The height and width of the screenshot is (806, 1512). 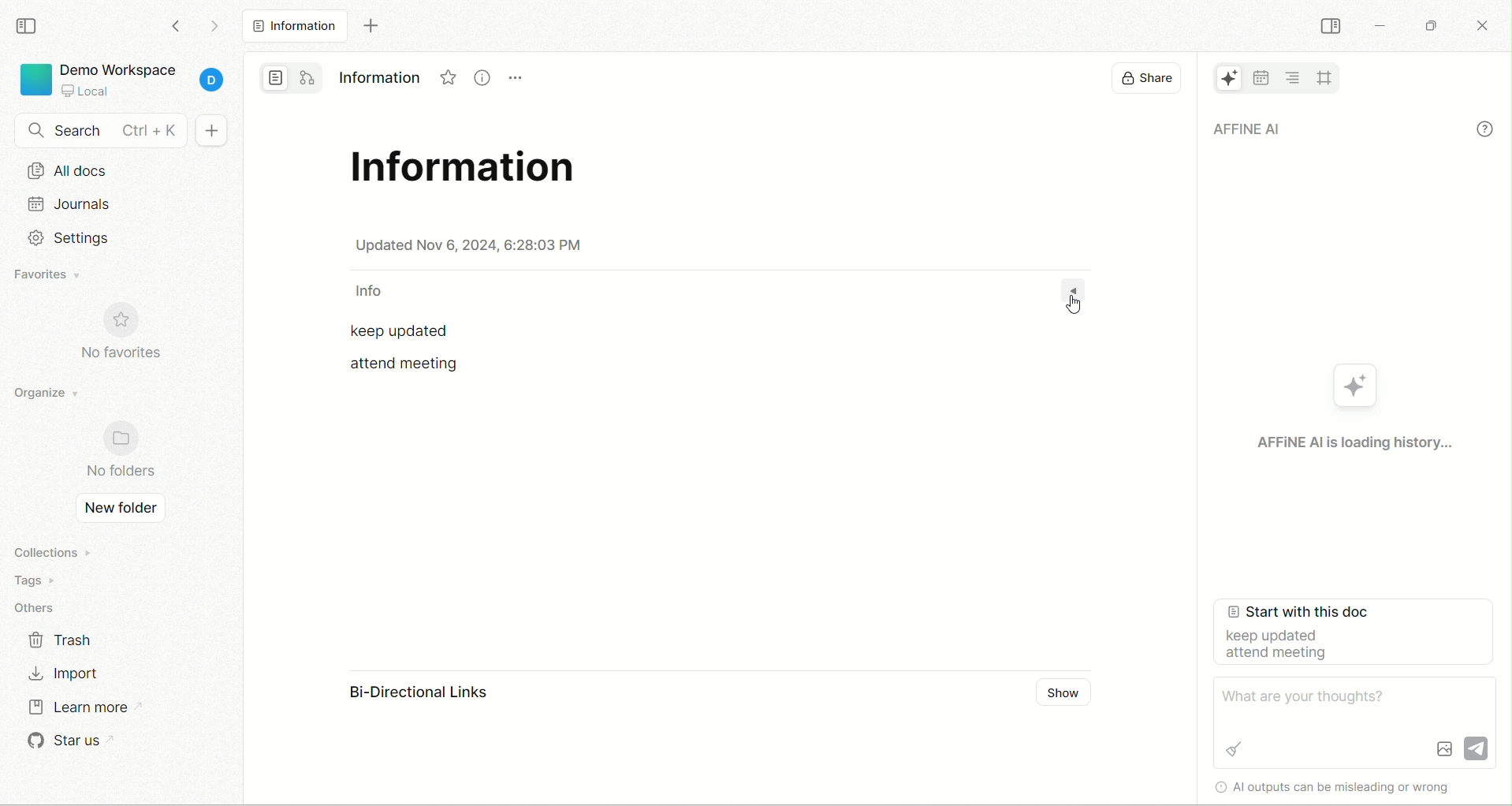 I want to click on AFFiNE AI is loading history, so click(x=1355, y=444).